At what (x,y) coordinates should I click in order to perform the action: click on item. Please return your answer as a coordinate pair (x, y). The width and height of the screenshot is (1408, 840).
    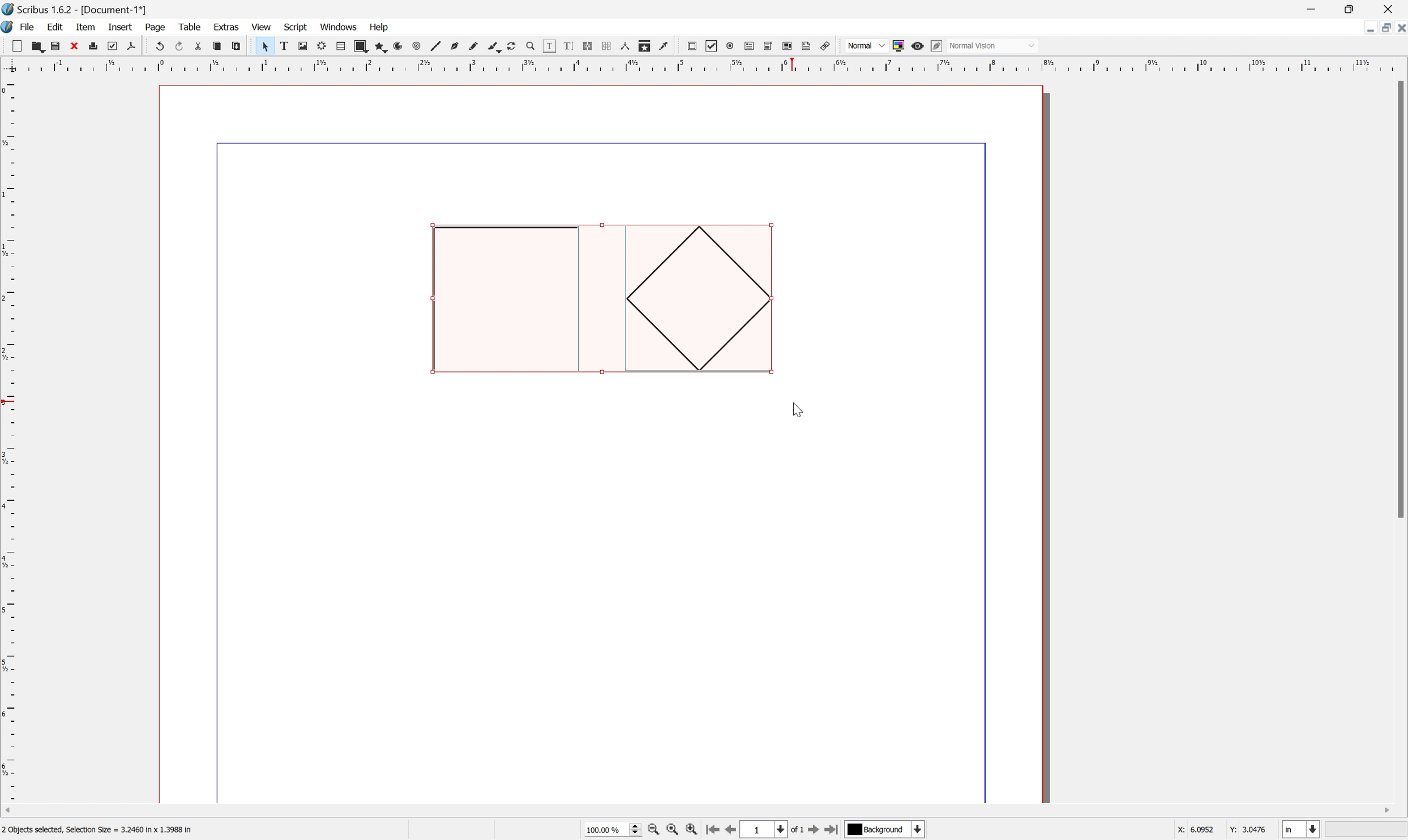
    Looking at the image, I should click on (87, 27).